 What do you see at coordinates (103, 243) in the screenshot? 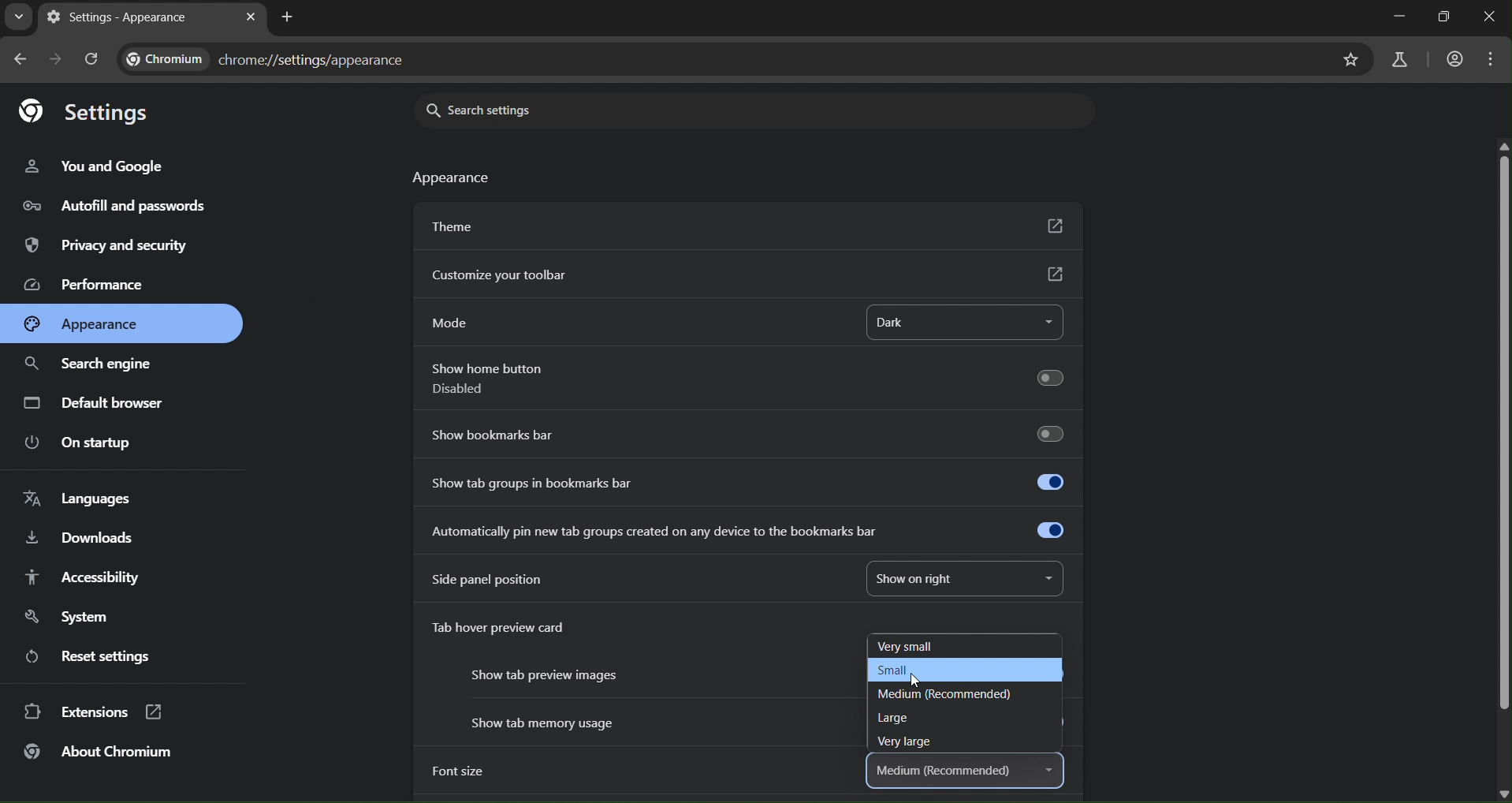
I see `privacy & security` at bounding box center [103, 243].